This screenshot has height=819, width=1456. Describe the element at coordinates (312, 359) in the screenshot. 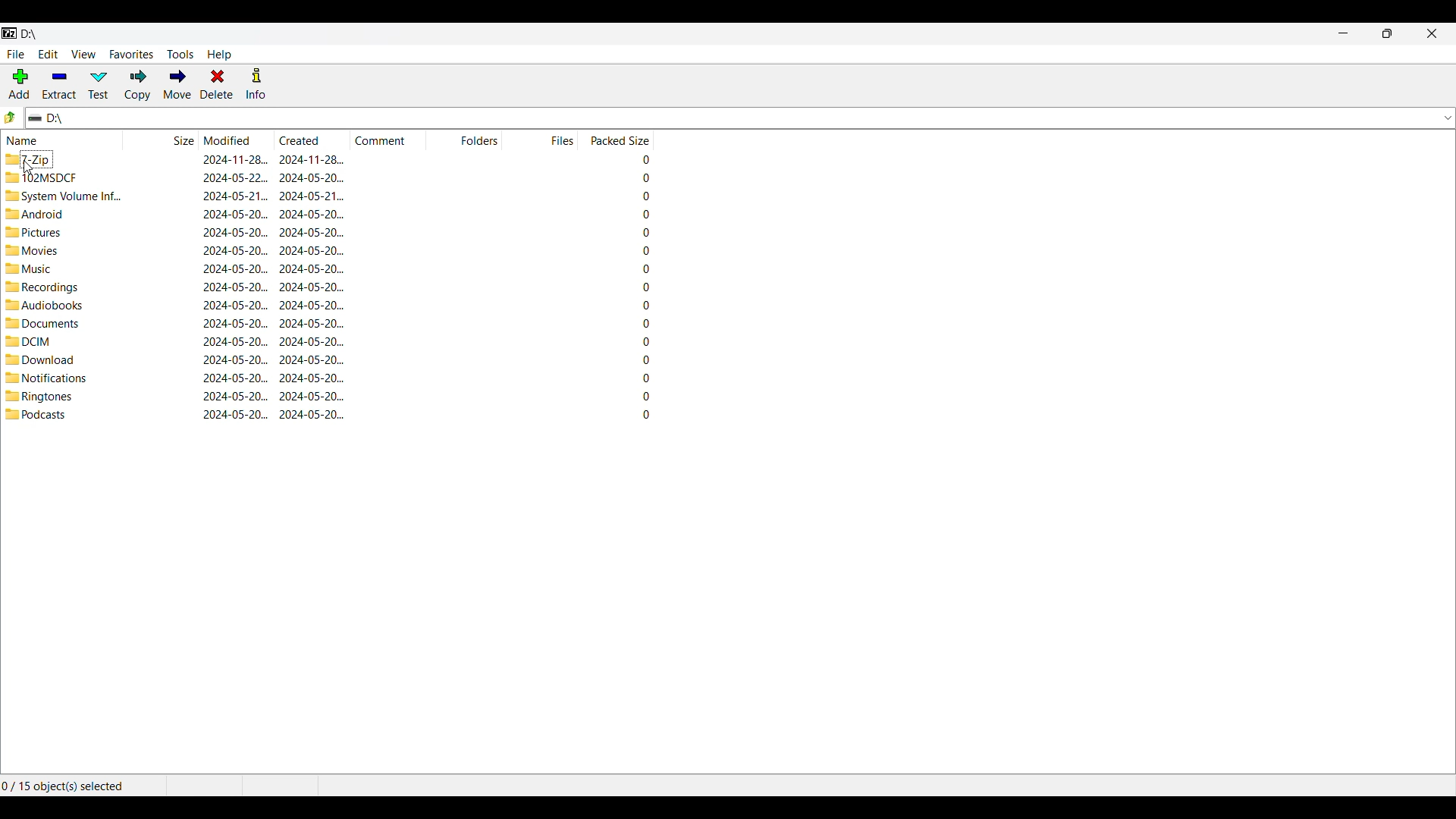

I see `created date & time` at that location.